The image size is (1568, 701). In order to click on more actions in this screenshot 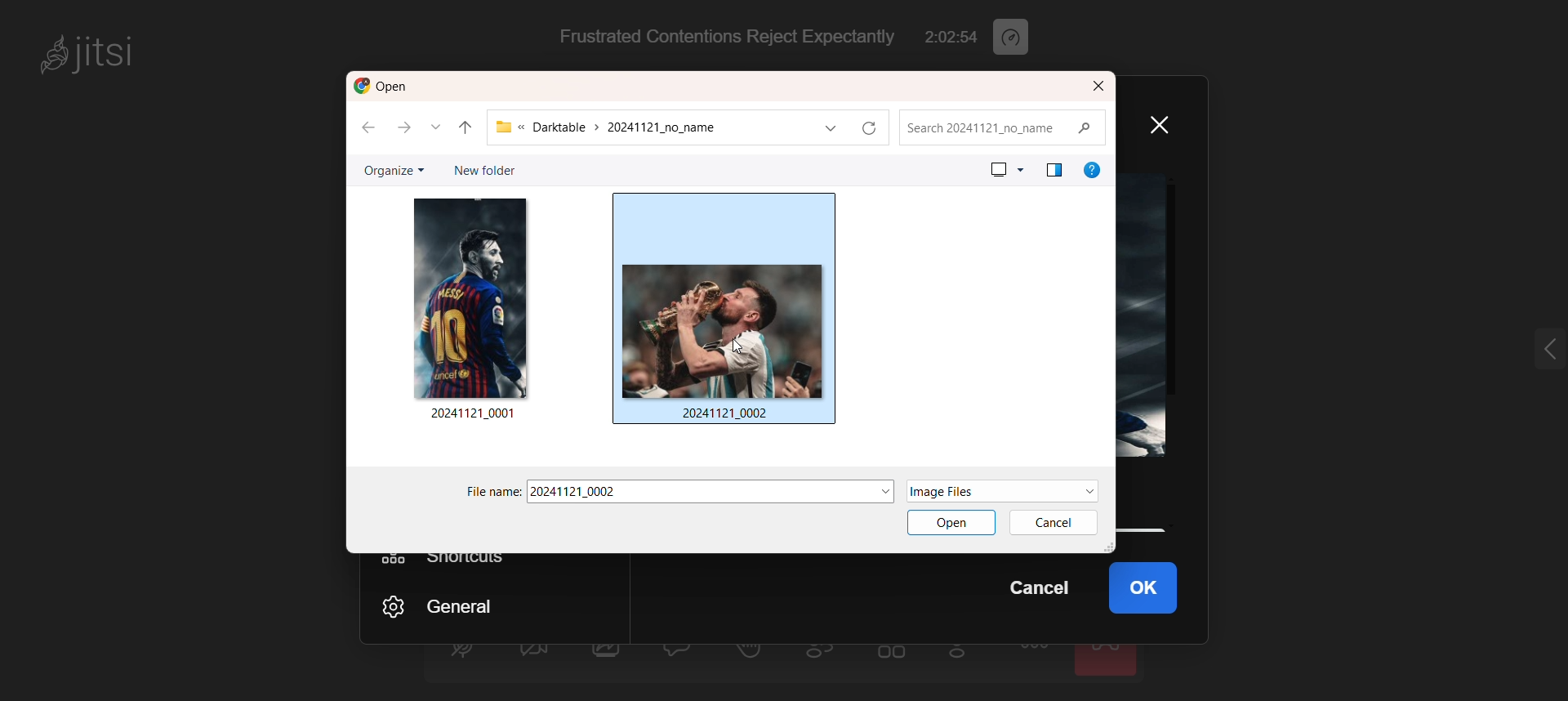, I will do `click(1036, 659)`.